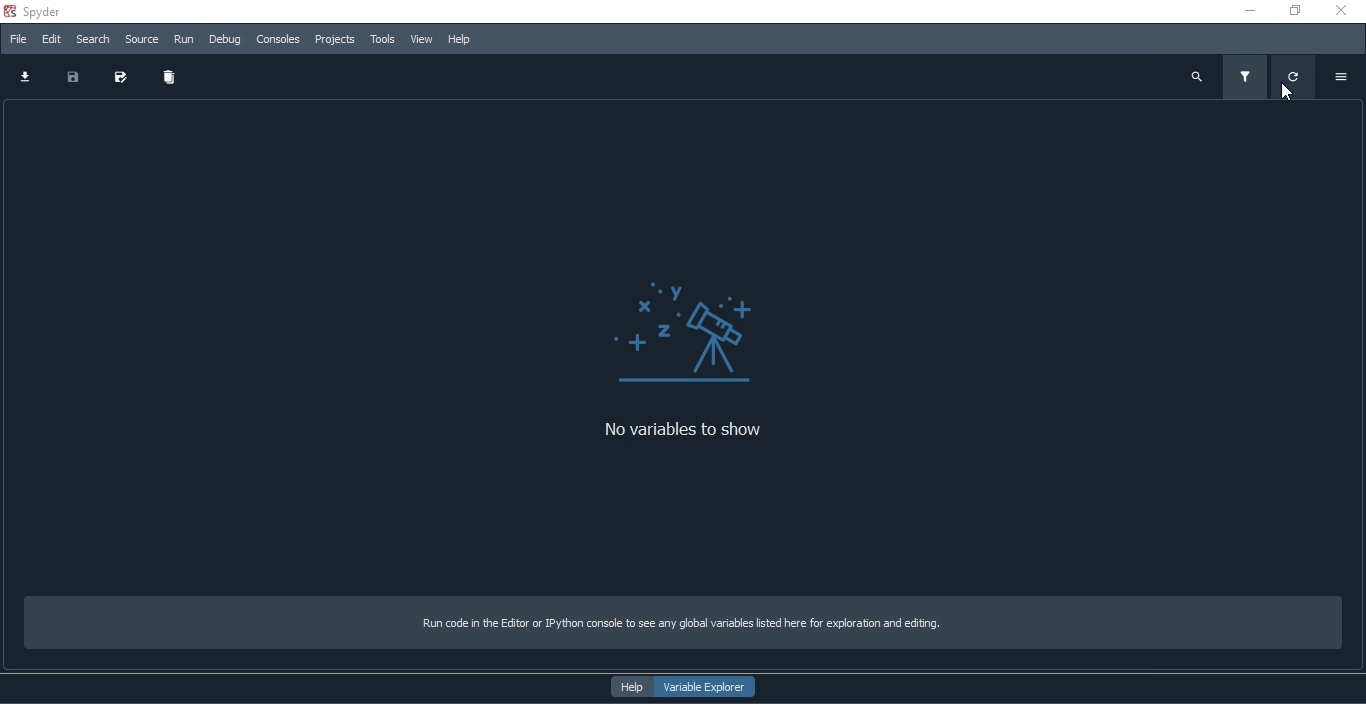  What do you see at coordinates (702, 686) in the screenshot?
I see `variable explorer` at bounding box center [702, 686].